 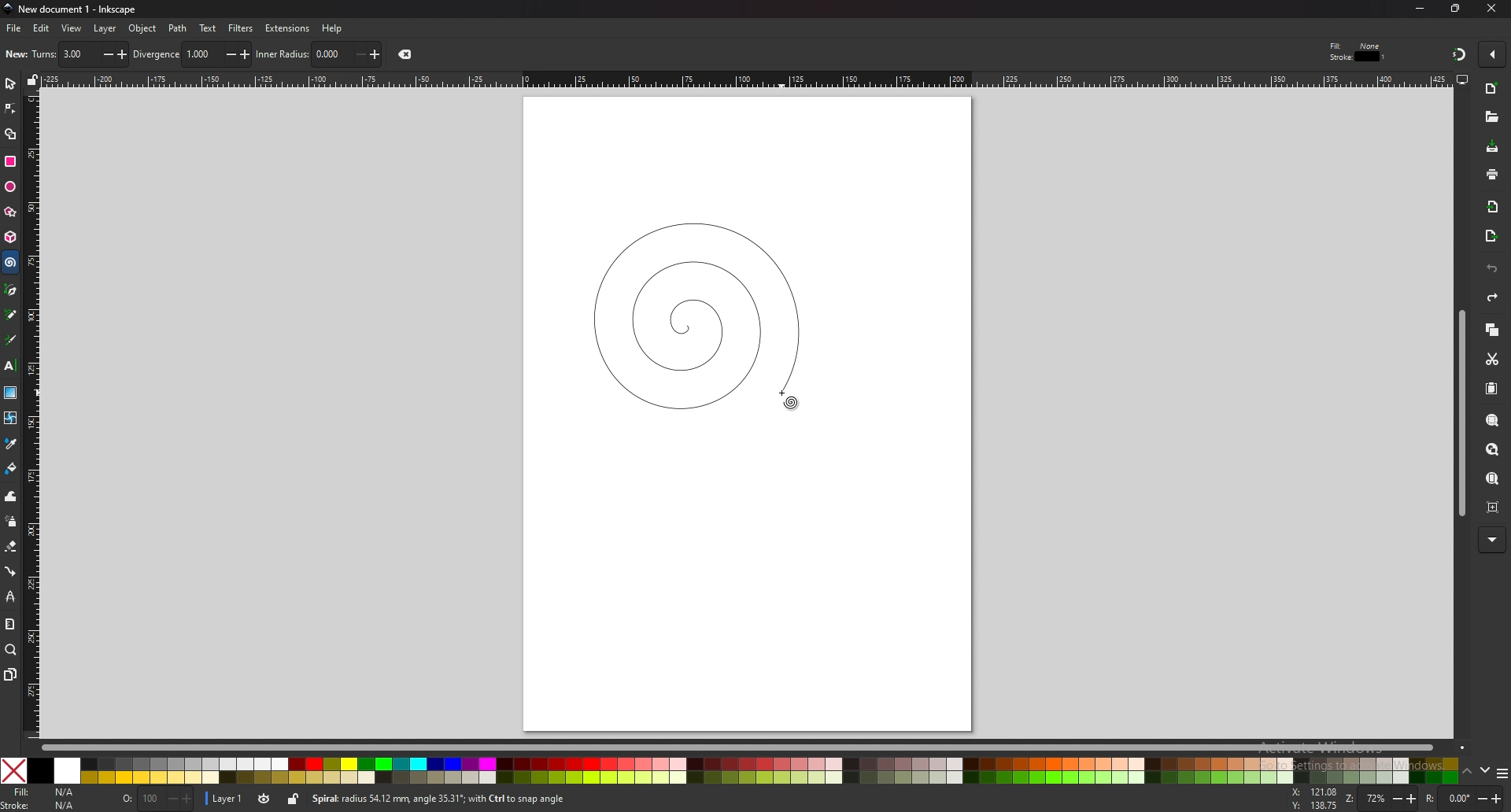 What do you see at coordinates (33, 81) in the screenshot?
I see `lock guides` at bounding box center [33, 81].